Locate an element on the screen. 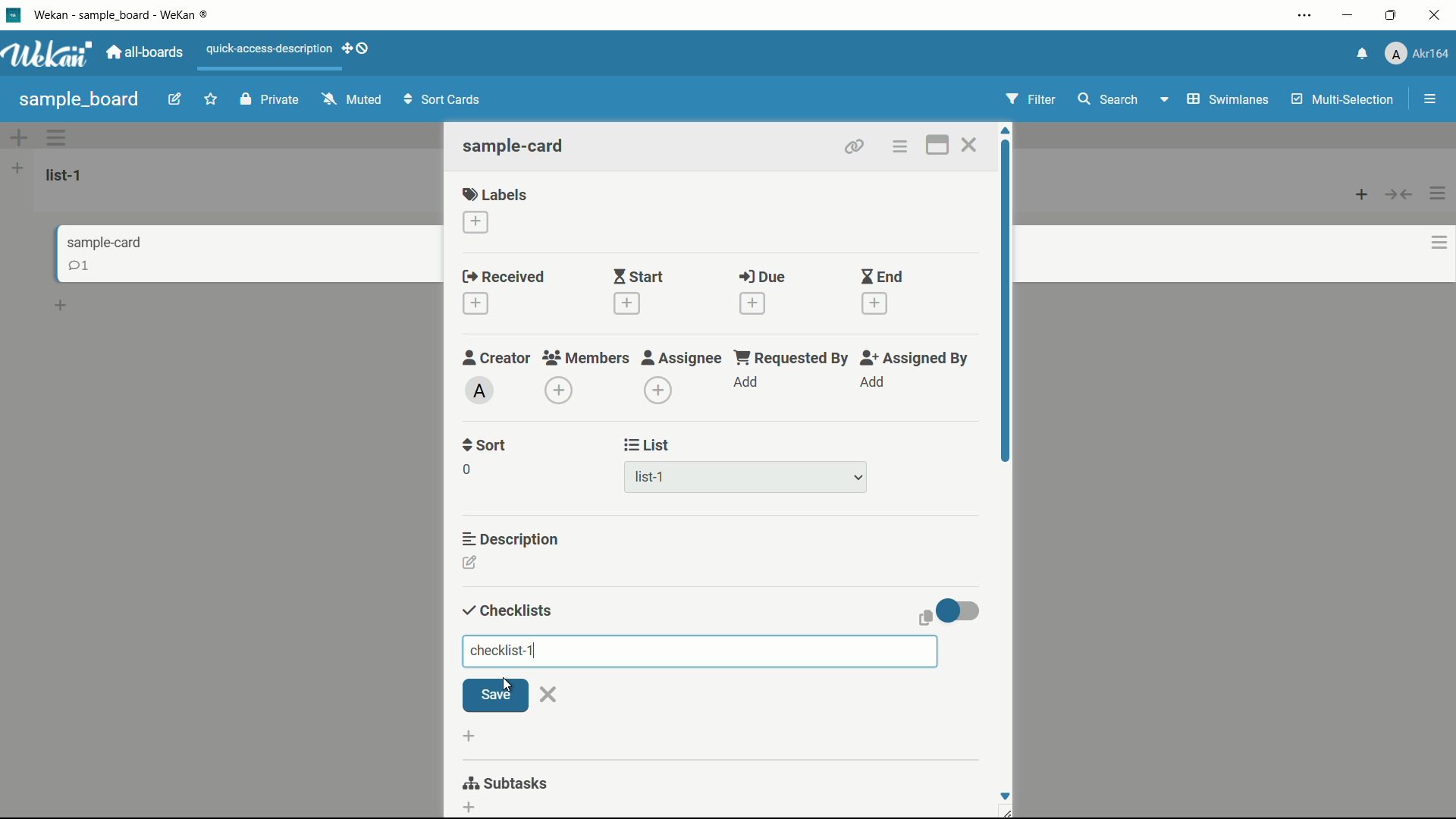 The image size is (1456, 819). add date is located at coordinates (627, 303).